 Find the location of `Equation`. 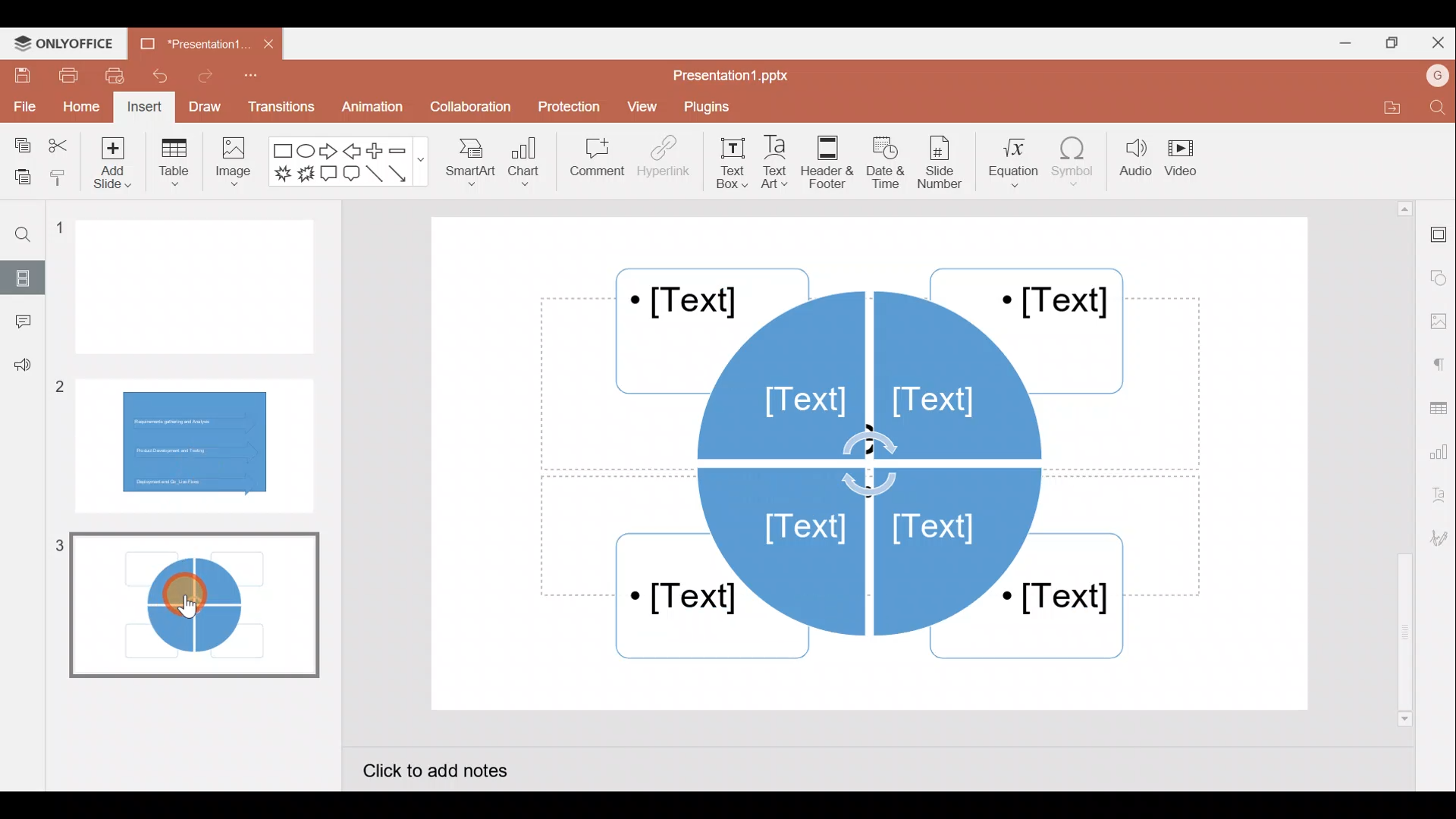

Equation is located at coordinates (1009, 163).